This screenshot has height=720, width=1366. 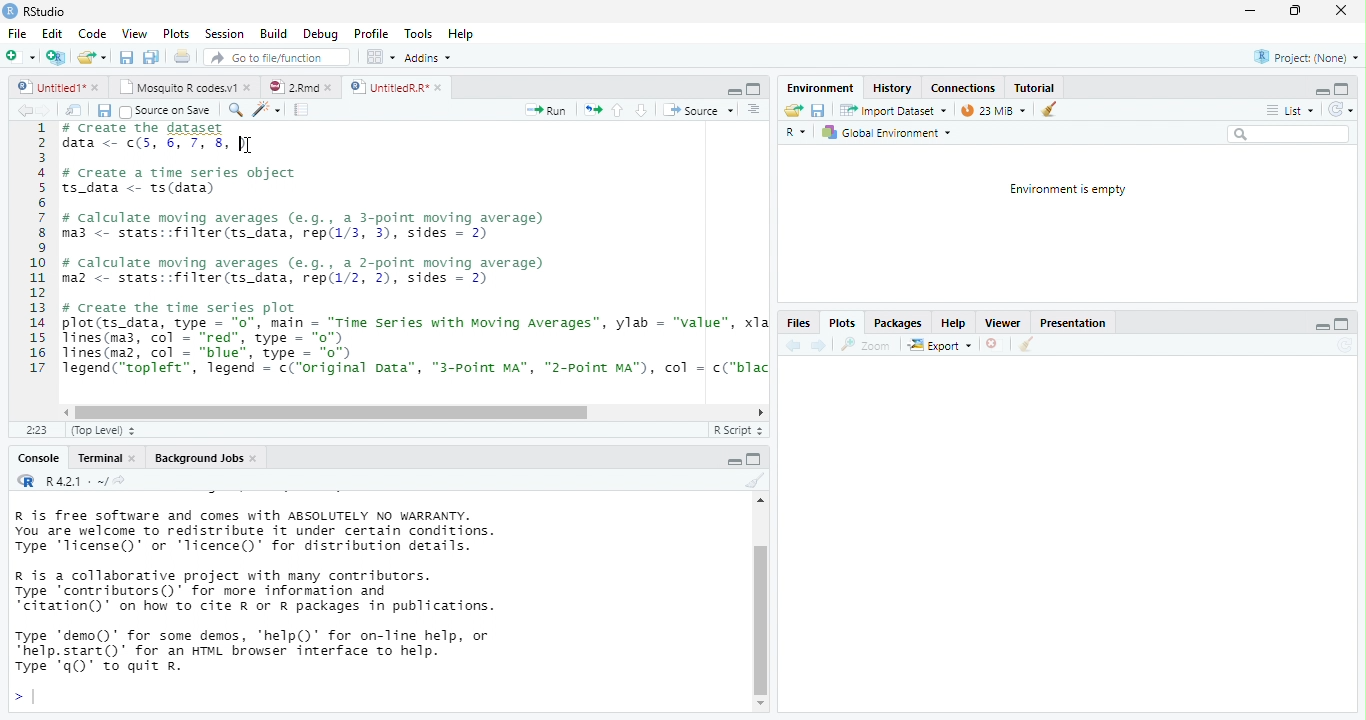 What do you see at coordinates (793, 111) in the screenshot?
I see `Load workspace` at bounding box center [793, 111].